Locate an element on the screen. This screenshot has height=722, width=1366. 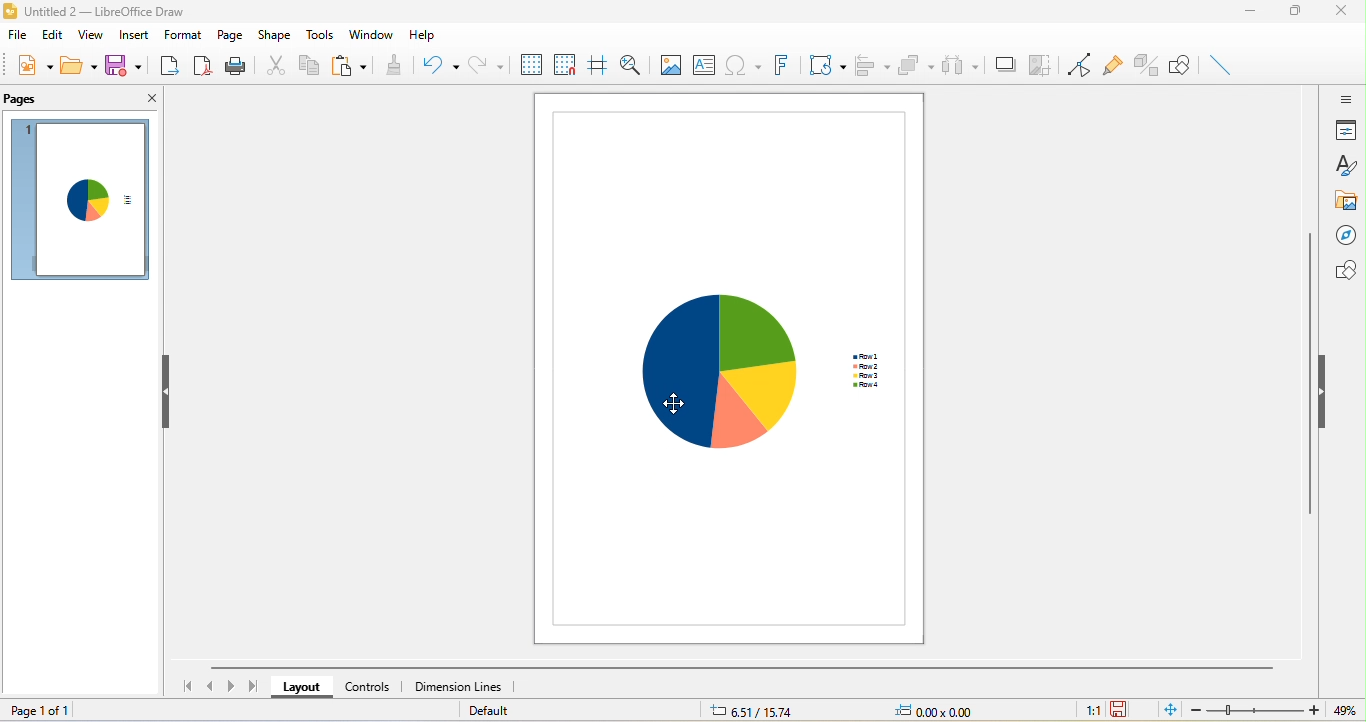
copy is located at coordinates (308, 66).